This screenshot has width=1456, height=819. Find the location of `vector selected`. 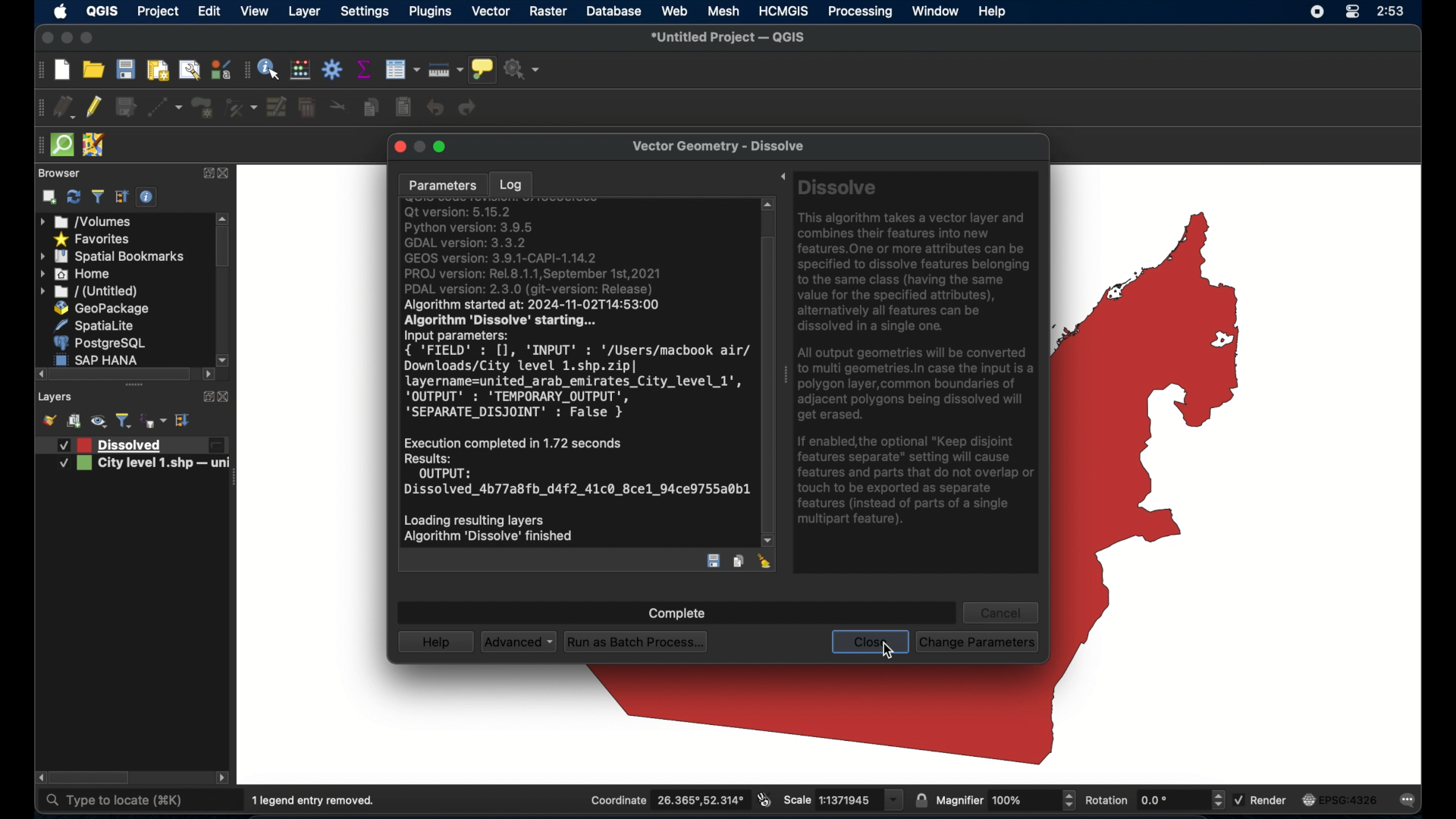

vector selected is located at coordinates (491, 12).